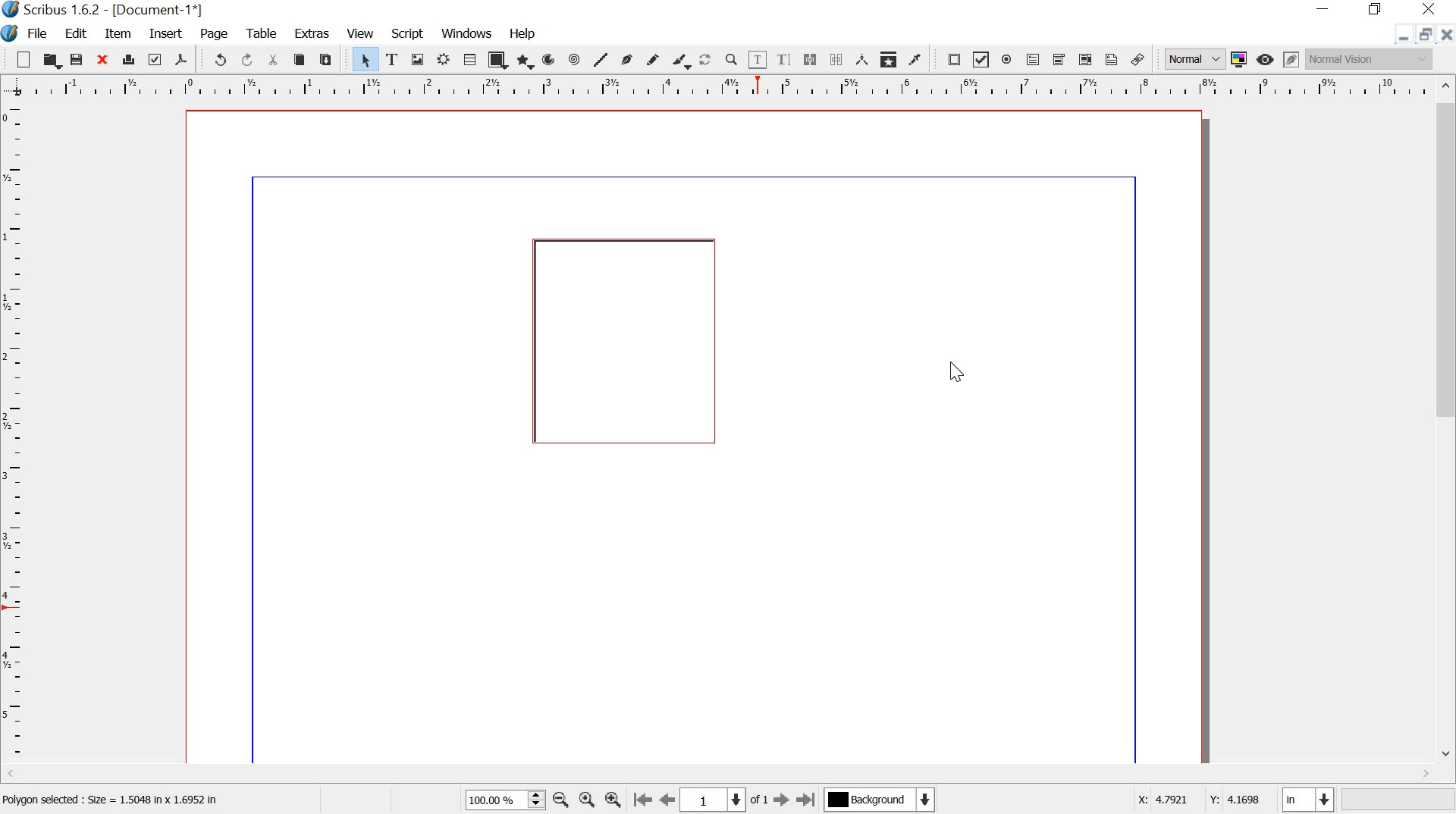 The width and height of the screenshot is (1456, 814). What do you see at coordinates (981, 60) in the screenshot?
I see `pdf check box` at bounding box center [981, 60].